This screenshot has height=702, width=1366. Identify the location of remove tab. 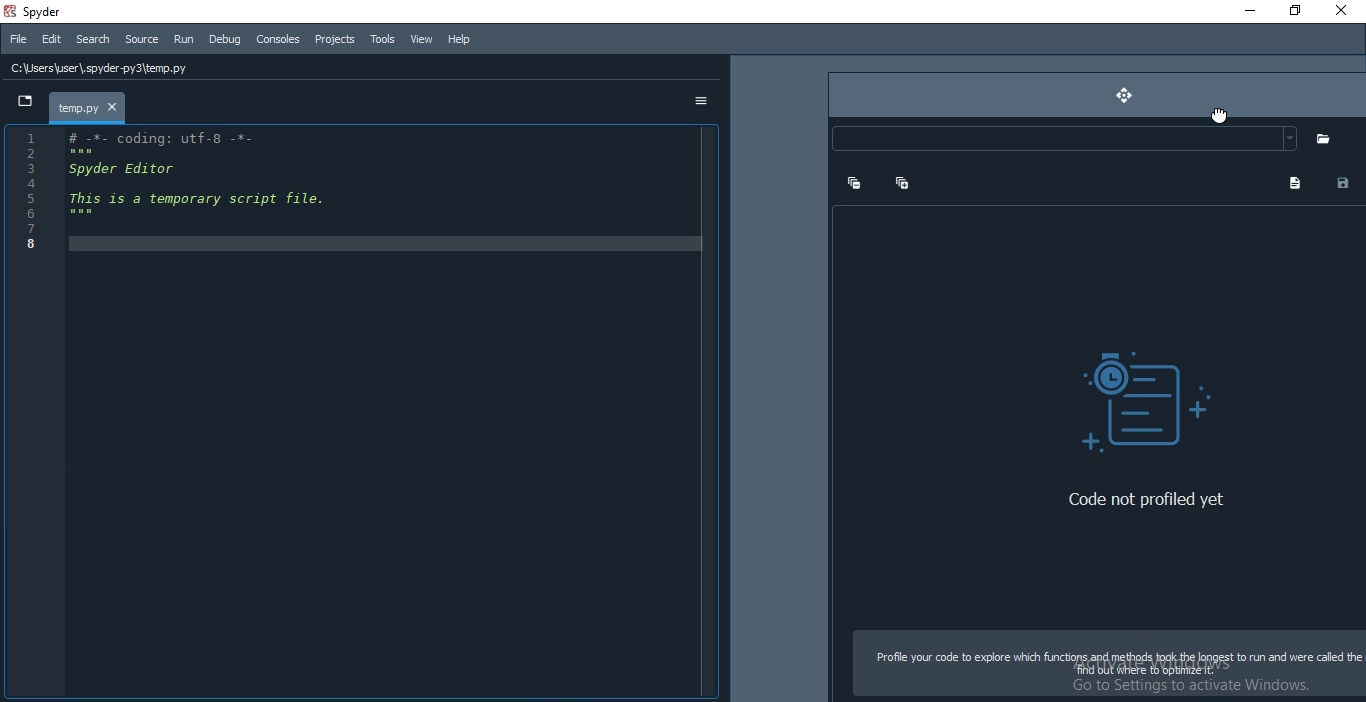
(855, 183).